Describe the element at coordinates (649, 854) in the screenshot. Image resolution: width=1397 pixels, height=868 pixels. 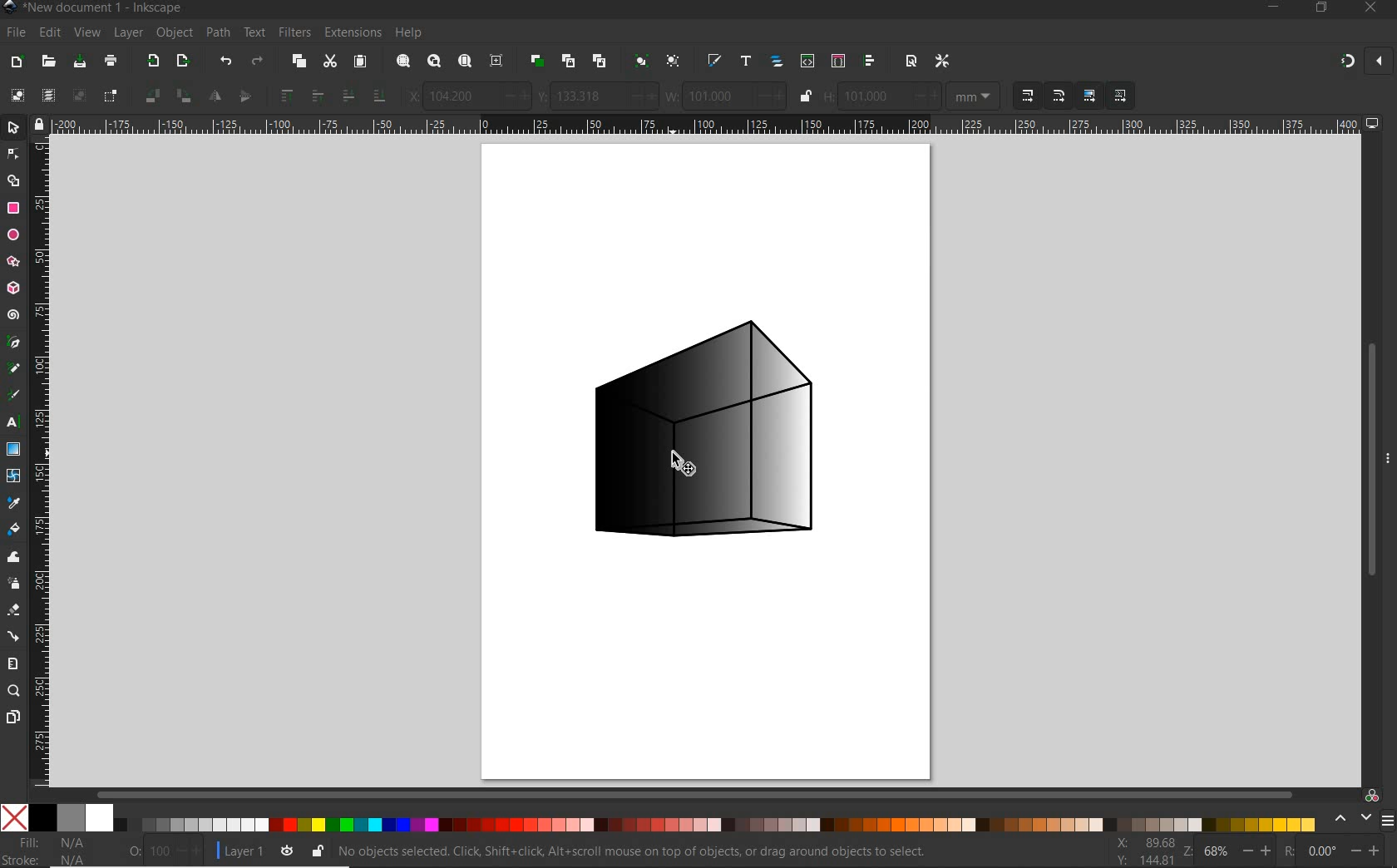
I see `NO OBJECTS SELECTED` at that location.